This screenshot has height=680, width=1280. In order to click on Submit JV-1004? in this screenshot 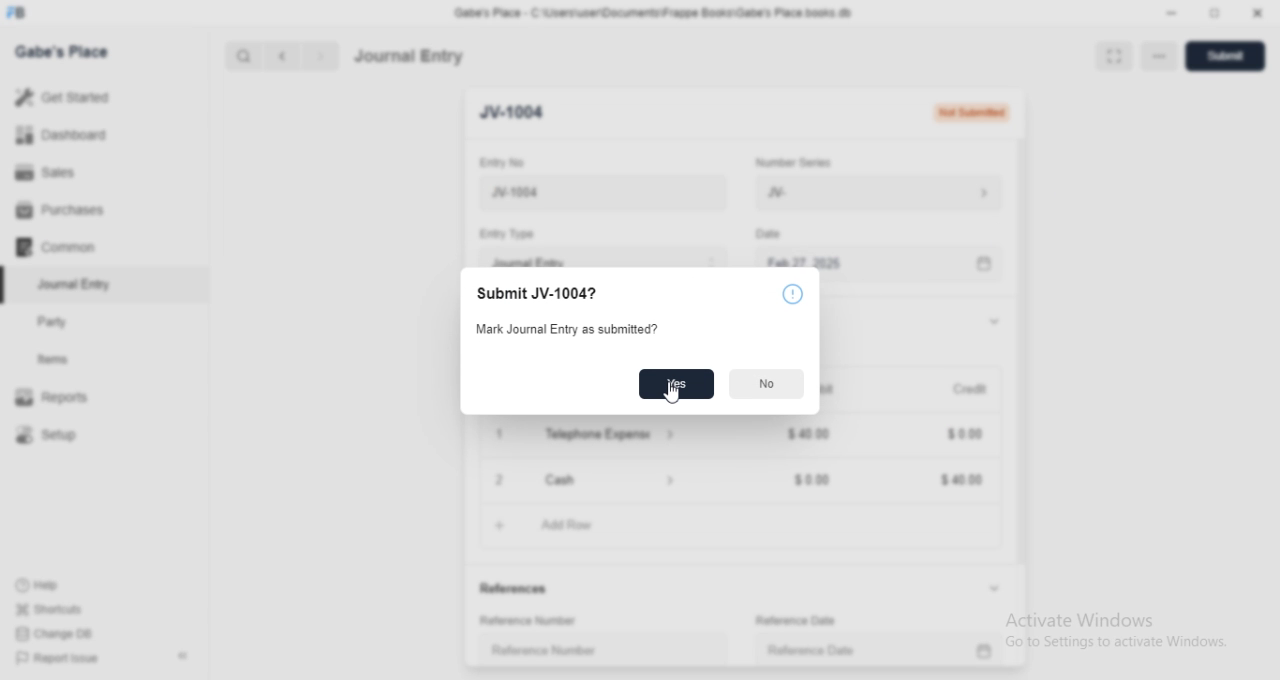, I will do `click(542, 294)`.